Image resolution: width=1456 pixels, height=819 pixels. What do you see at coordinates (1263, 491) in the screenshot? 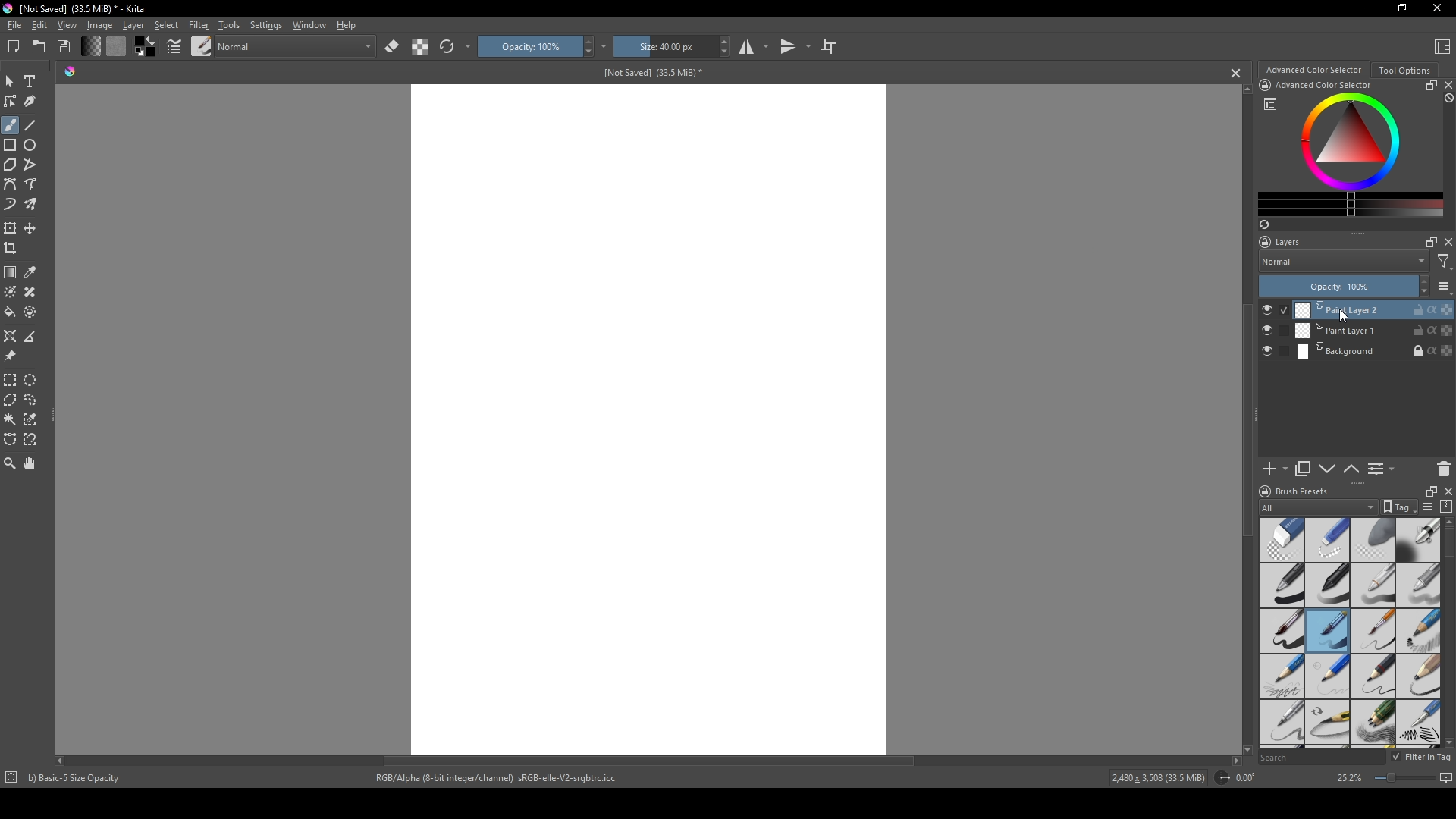
I see `logo` at bounding box center [1263, 491].